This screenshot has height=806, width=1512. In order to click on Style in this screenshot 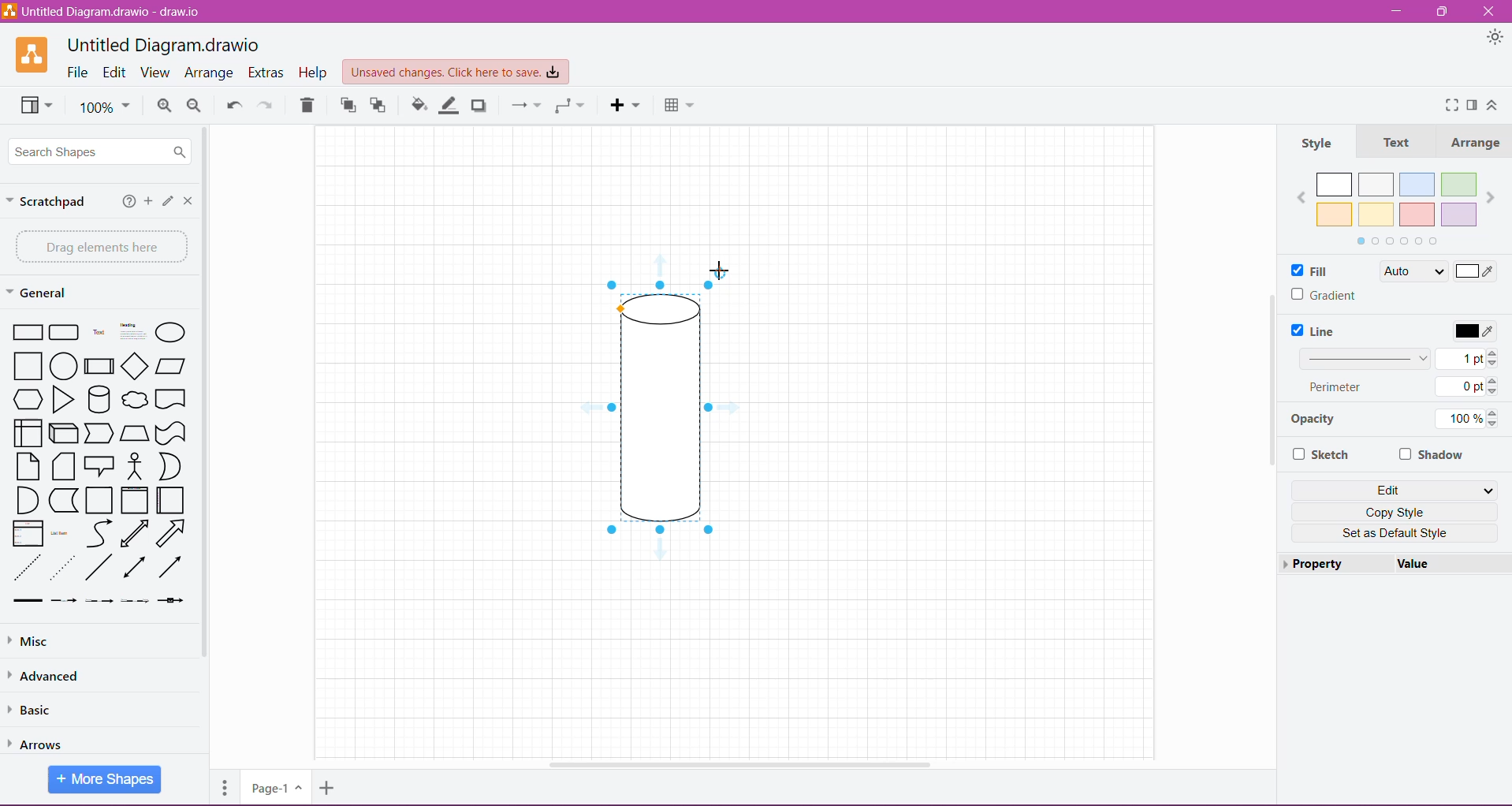, I will do `click(1328, 141)`.